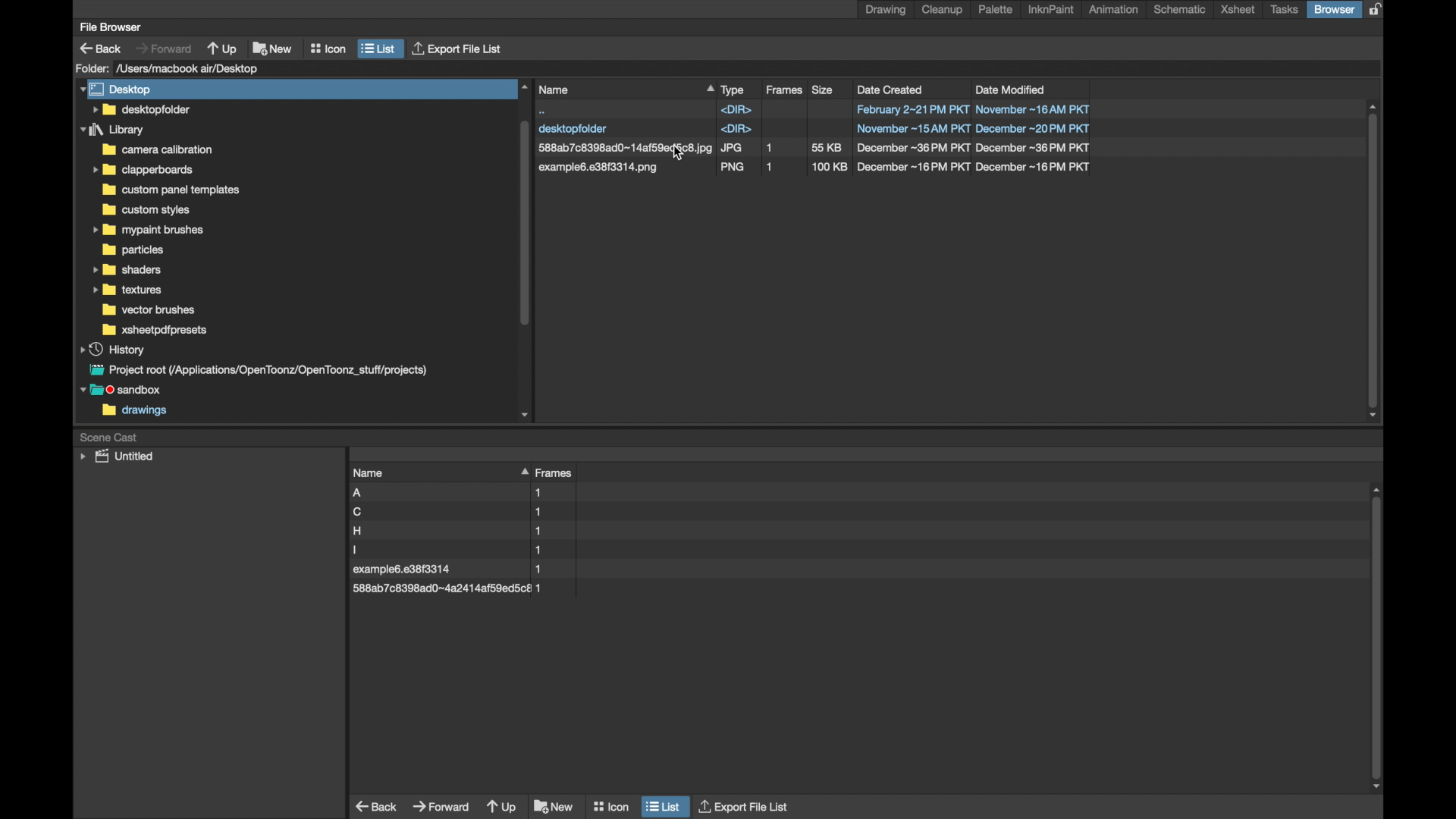  I want to click on drawing, so click(886, 10).